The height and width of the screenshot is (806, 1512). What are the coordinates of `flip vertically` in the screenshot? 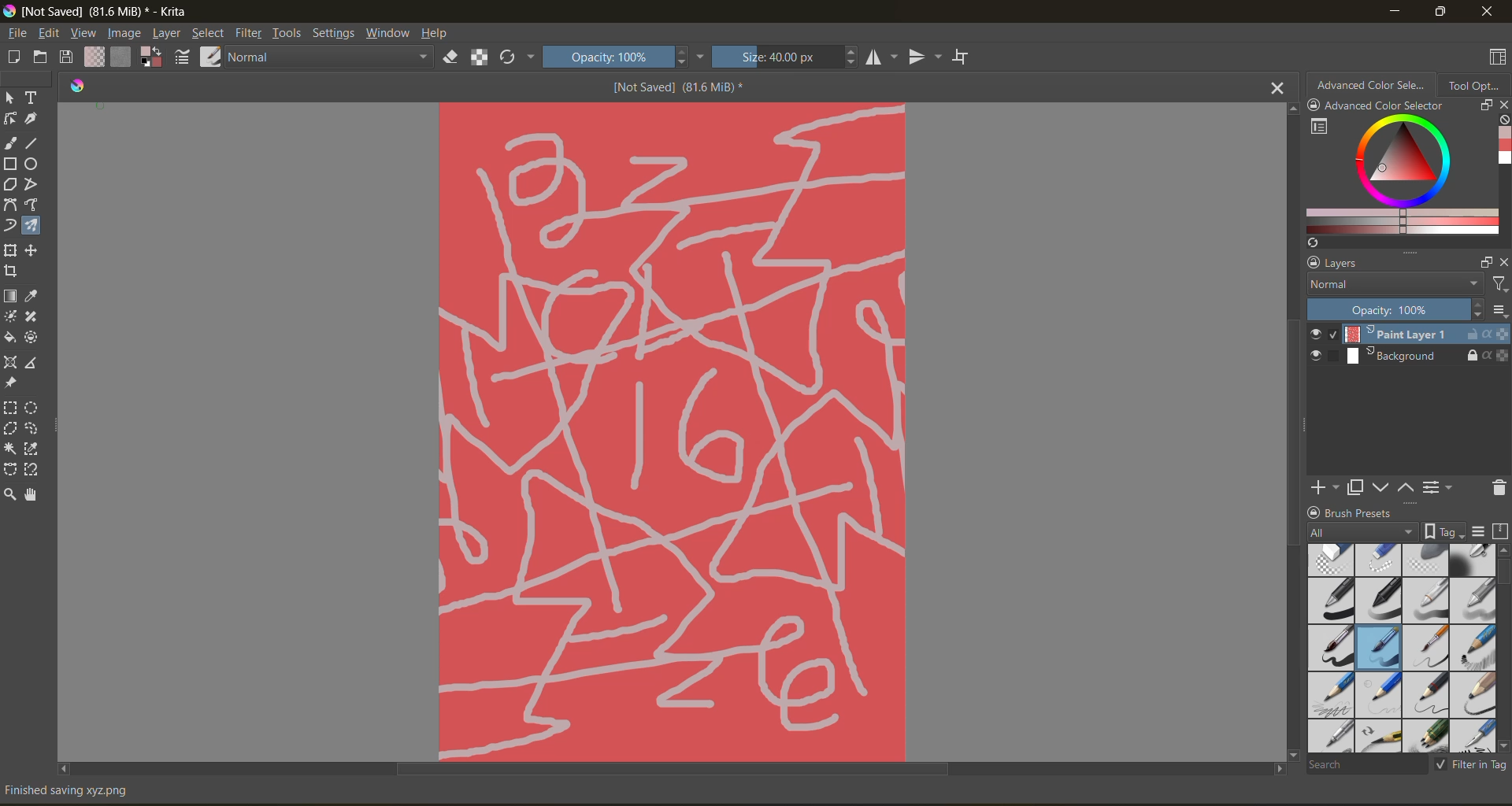 It's located at (922, 58).